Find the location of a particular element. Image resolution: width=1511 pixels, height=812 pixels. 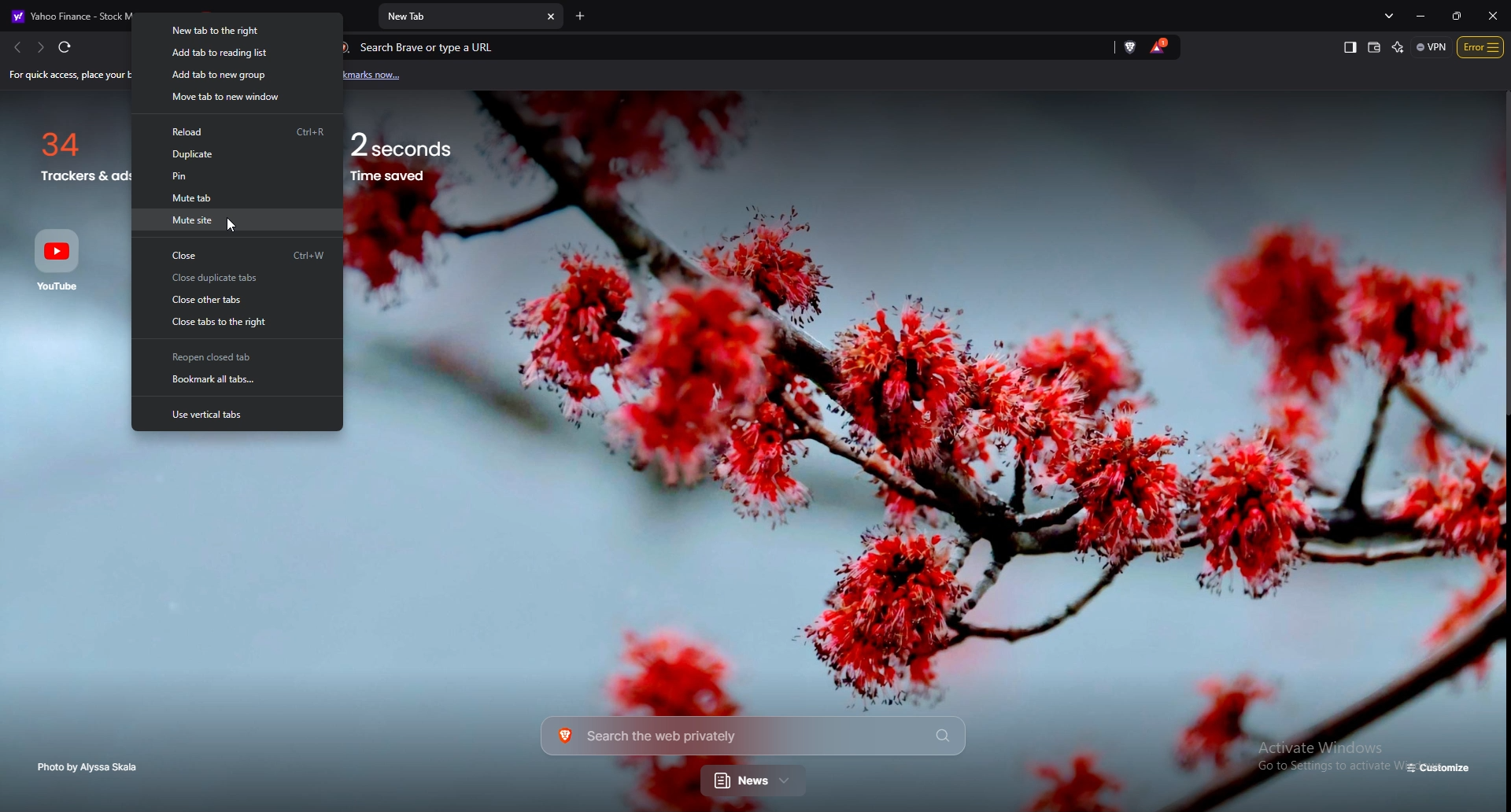

search tabs is located at coordinates (1391, 15).